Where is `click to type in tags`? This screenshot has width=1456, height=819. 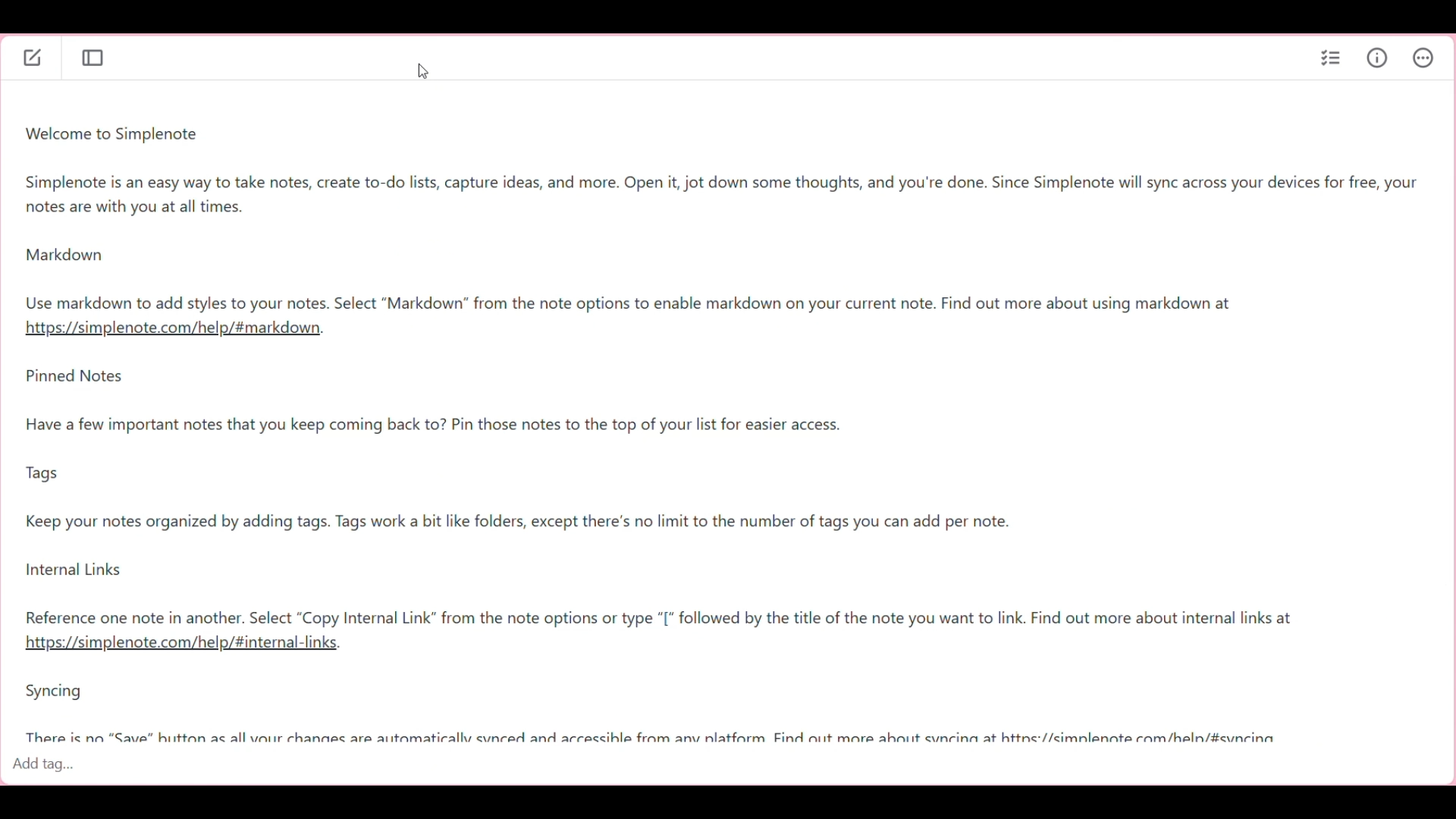
click to type in tags is located at coordinates (723, 769).